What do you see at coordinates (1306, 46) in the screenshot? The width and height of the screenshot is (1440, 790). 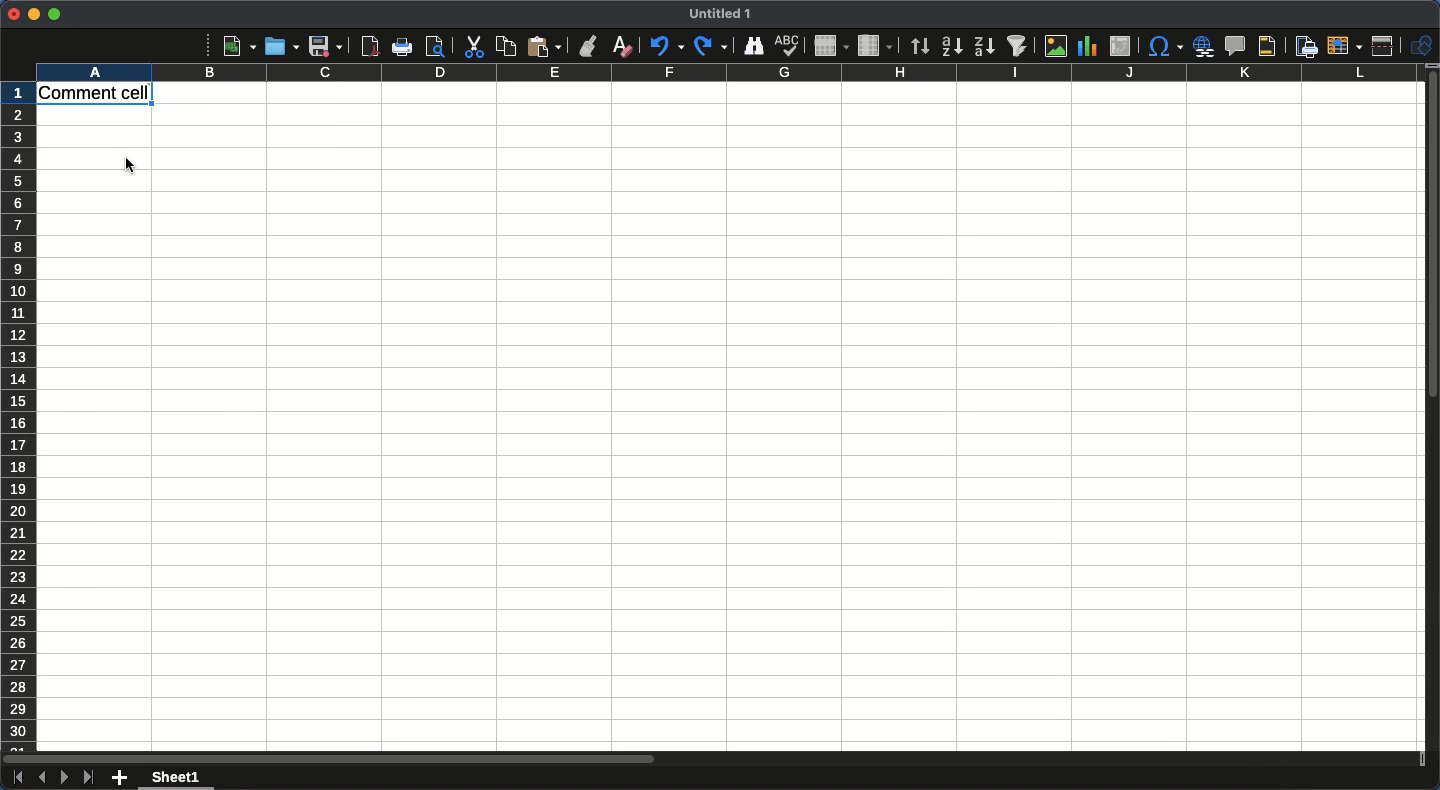 I see `Define print area` at bounding box center [1306, 46].